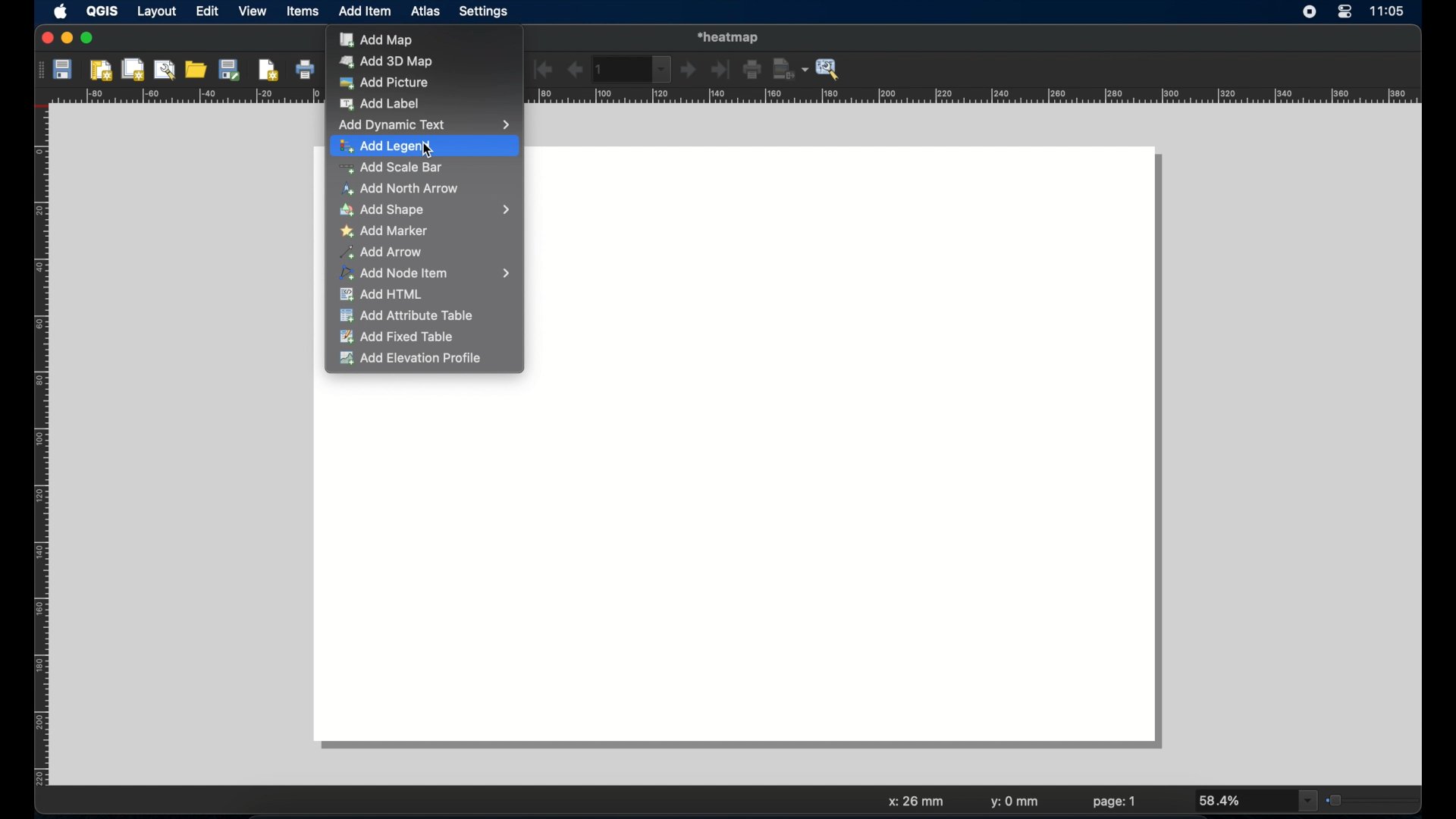  What do you see at coordinates (384, 83) in the screenshot?
I see `add picture` at bounding box center [384, 83].